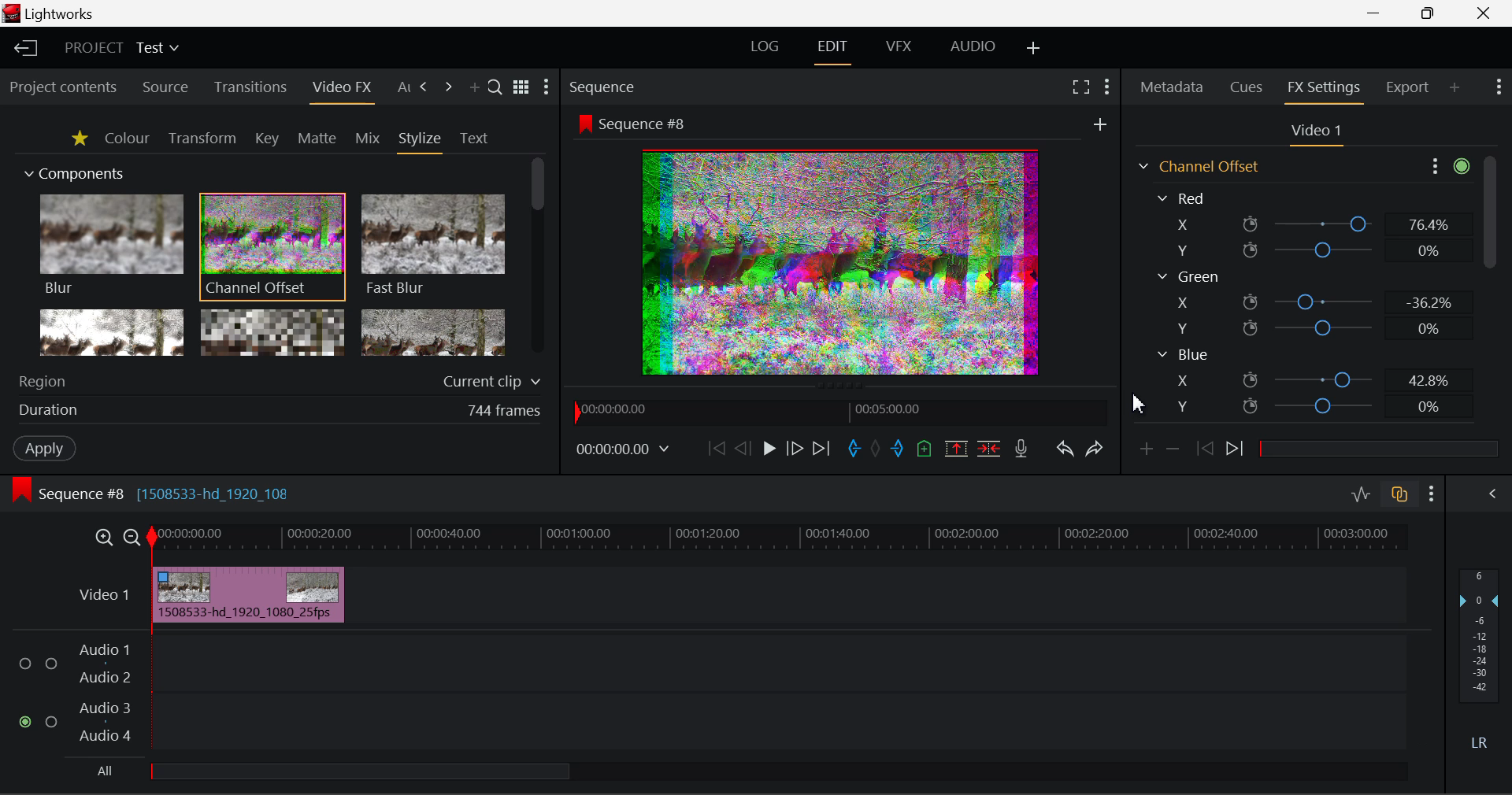 This screenshot has width=1512, height=795. What do you see at coordinates (1170, 87) in the screenshot?
I see `Metadata Tab` at bounding box center [1170, 87].